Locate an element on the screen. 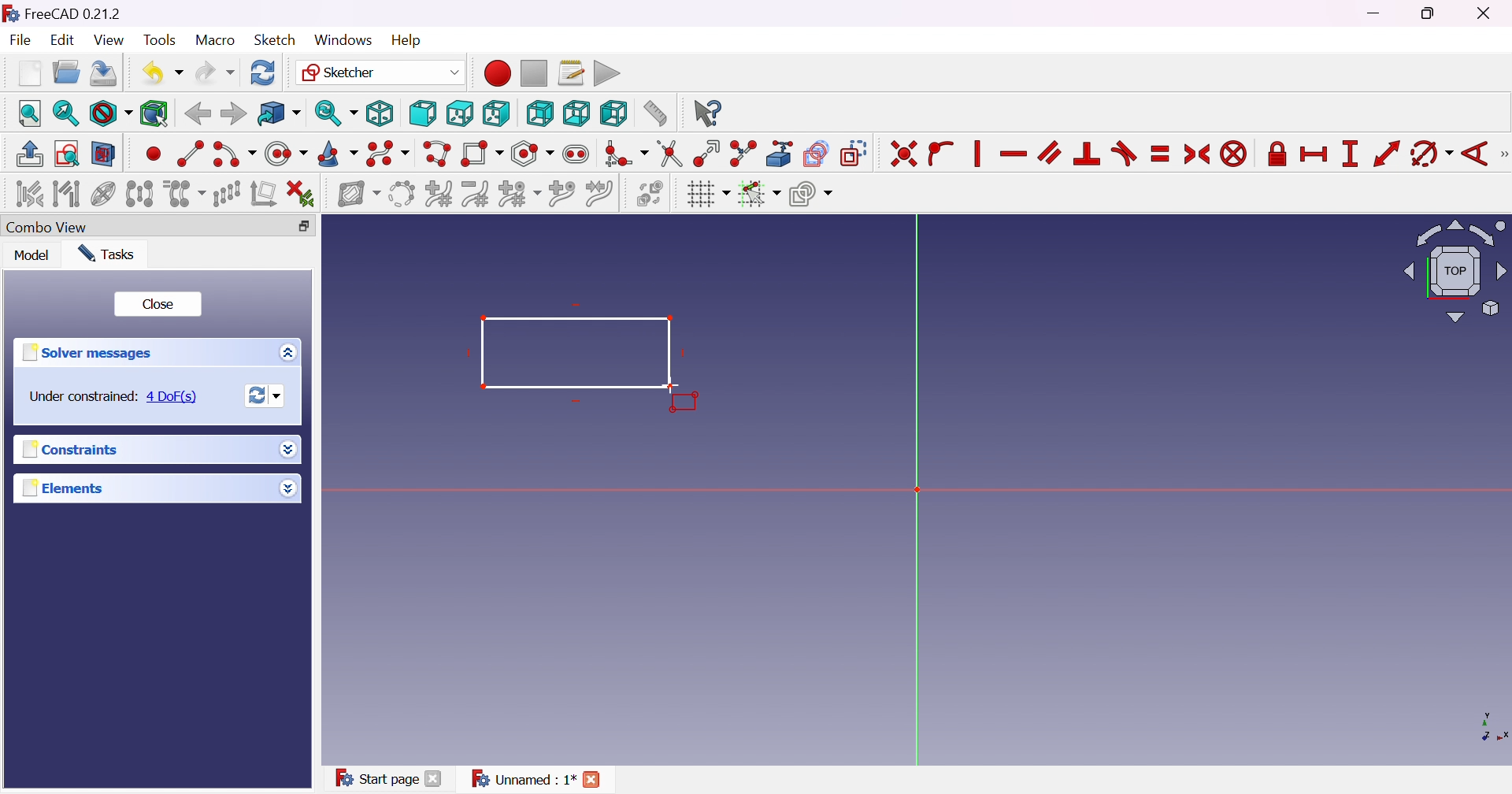  Symmetry is located at coordinates (139, 193).